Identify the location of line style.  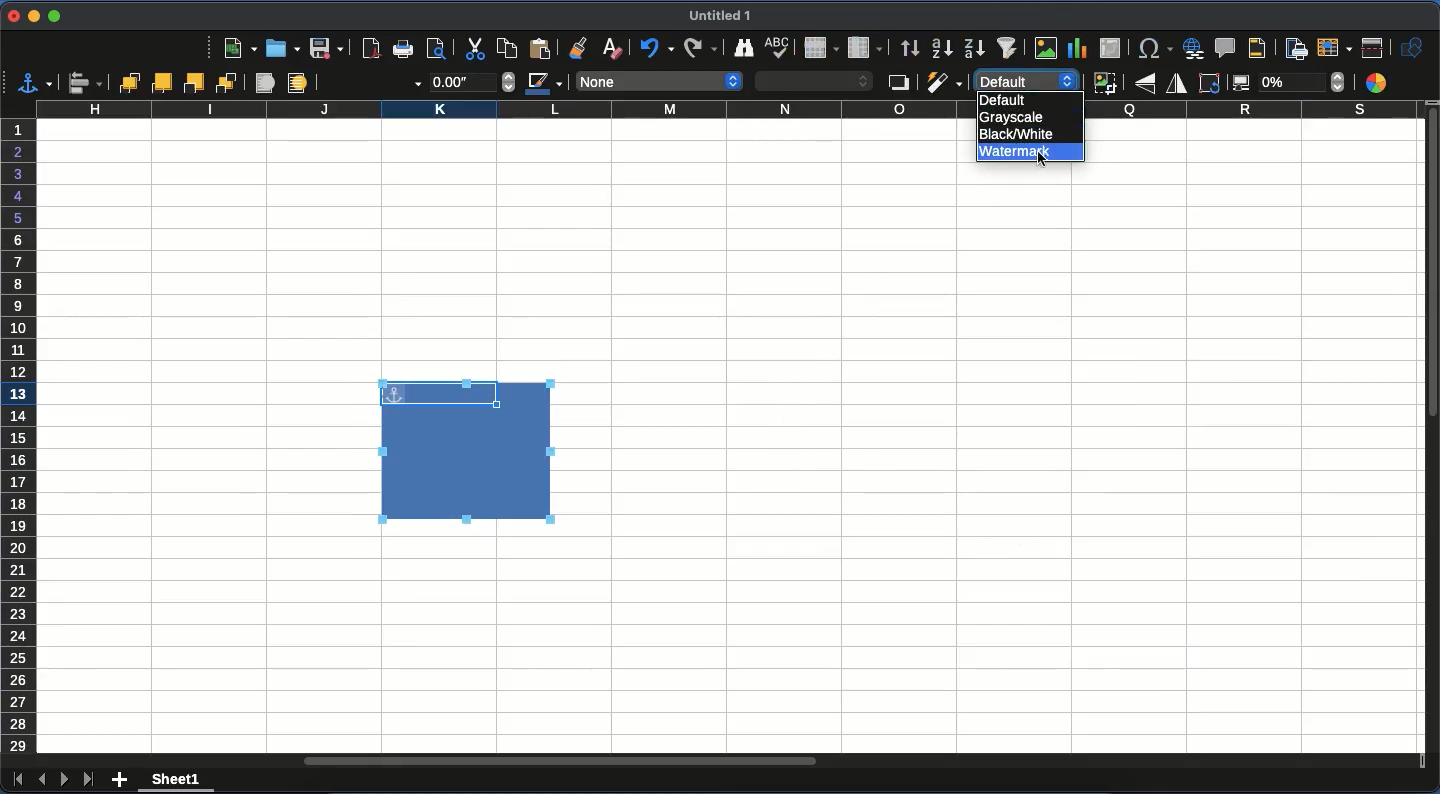
(373, 84).